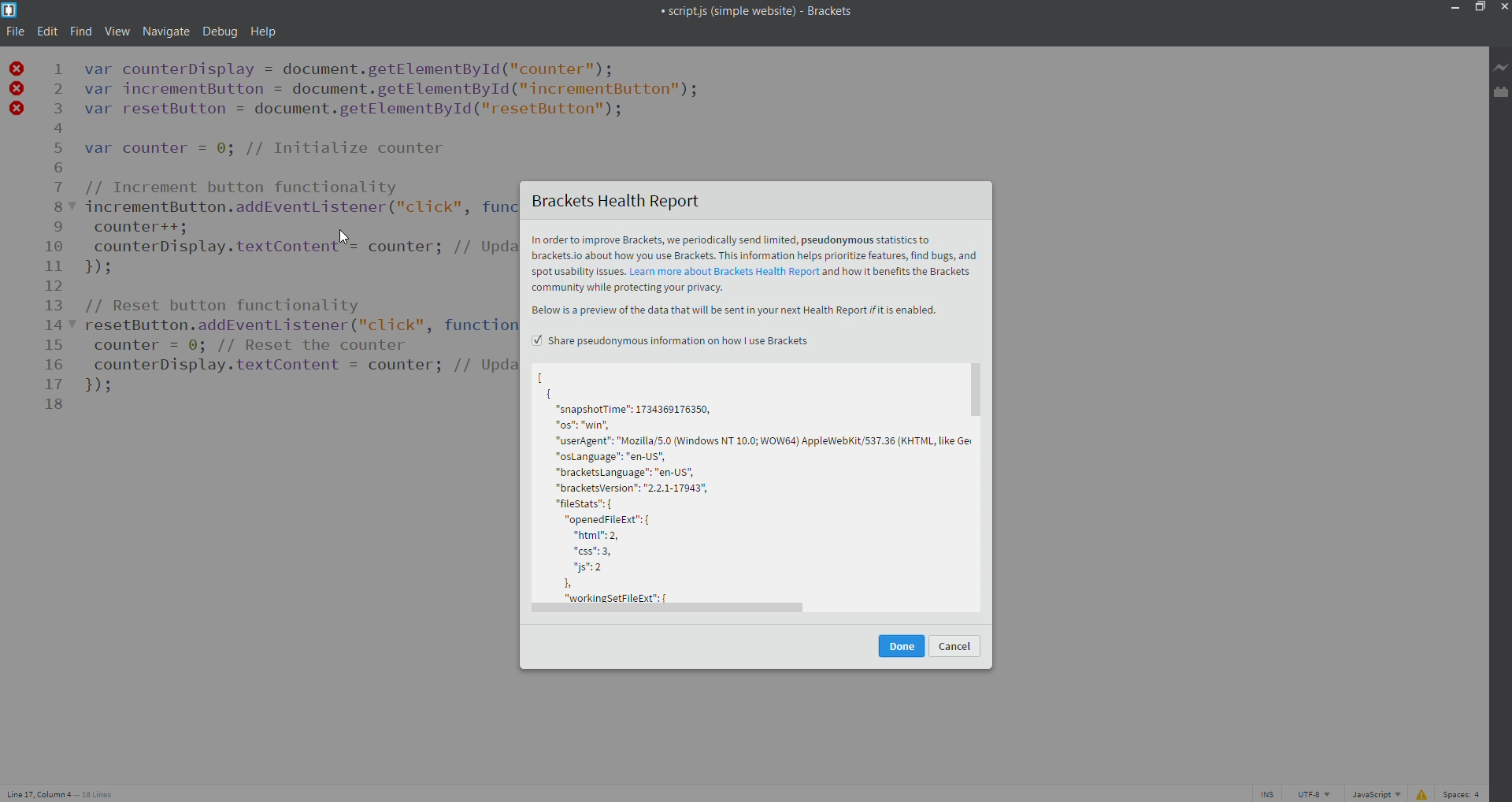  I want to click on [
Is
"snapshotTime"" 1734369176350,
"os": "win,
"userAgent": "Mozilla/5.0 (Windows NT 10.0; WOWG4) AppleWebKit/537.36 (KHTML, like Ge
"osLanguage: "en-US",
"bracketsLanguage": "en-US",
"bracketsVersion': "22.1-17943",
“filestats": {
"openedFileExt":
“html":2,
"ess":3,
%js":2
bh
"workingSetFileExt": {, so click(750, 485).